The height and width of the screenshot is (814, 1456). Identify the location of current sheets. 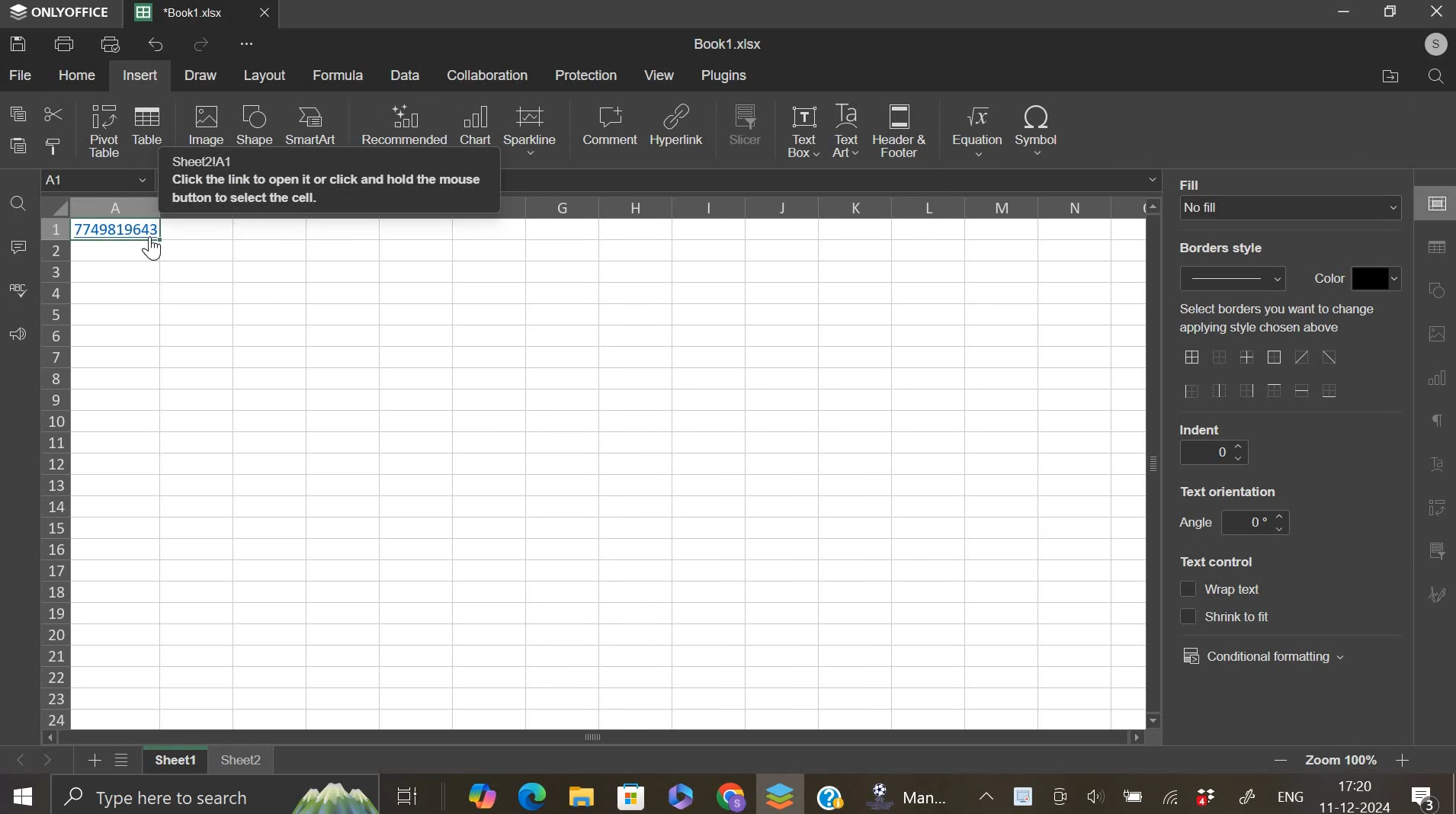
(187, 14).